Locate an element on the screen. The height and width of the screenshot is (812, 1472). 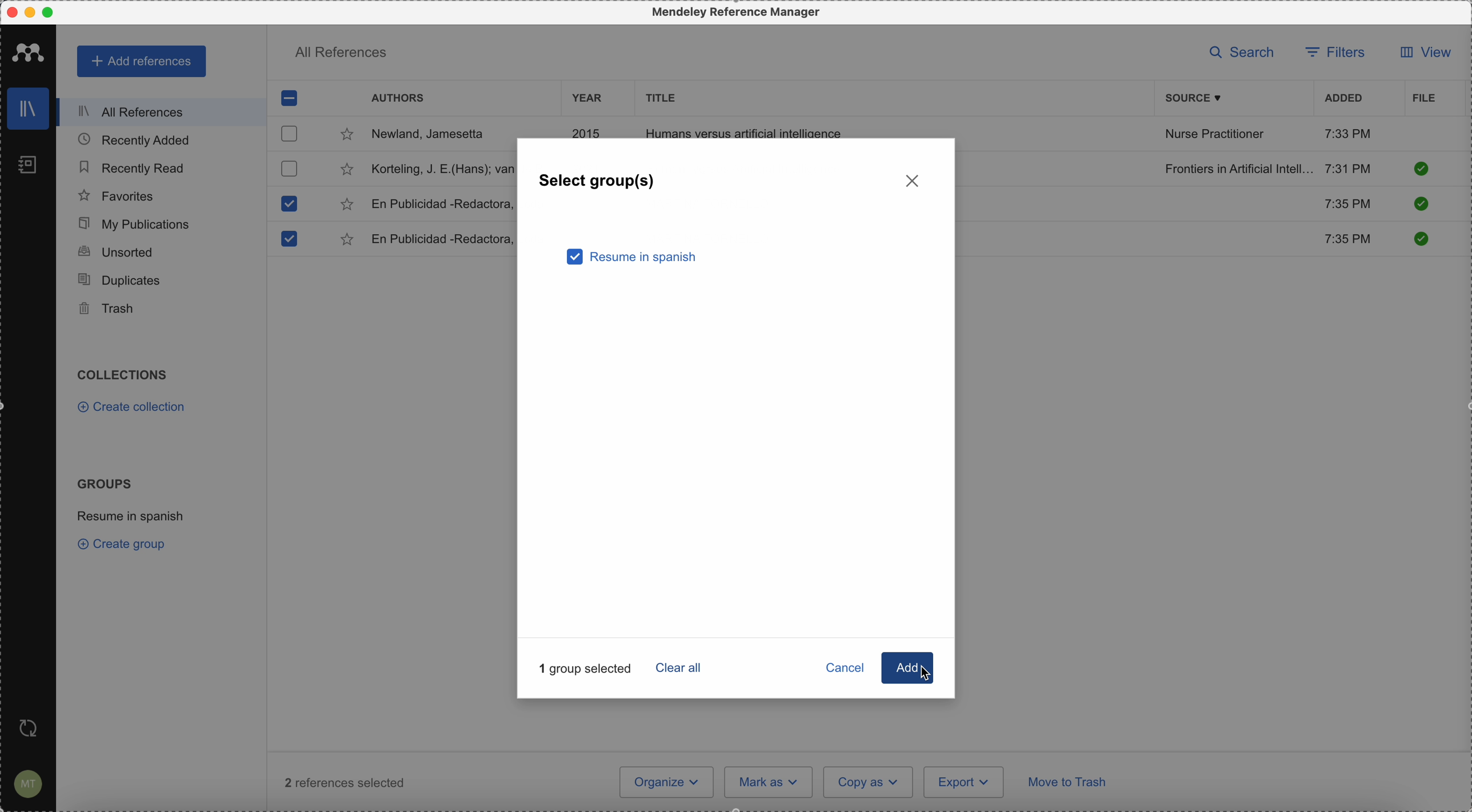
close program is located at coordinates (12, 13).